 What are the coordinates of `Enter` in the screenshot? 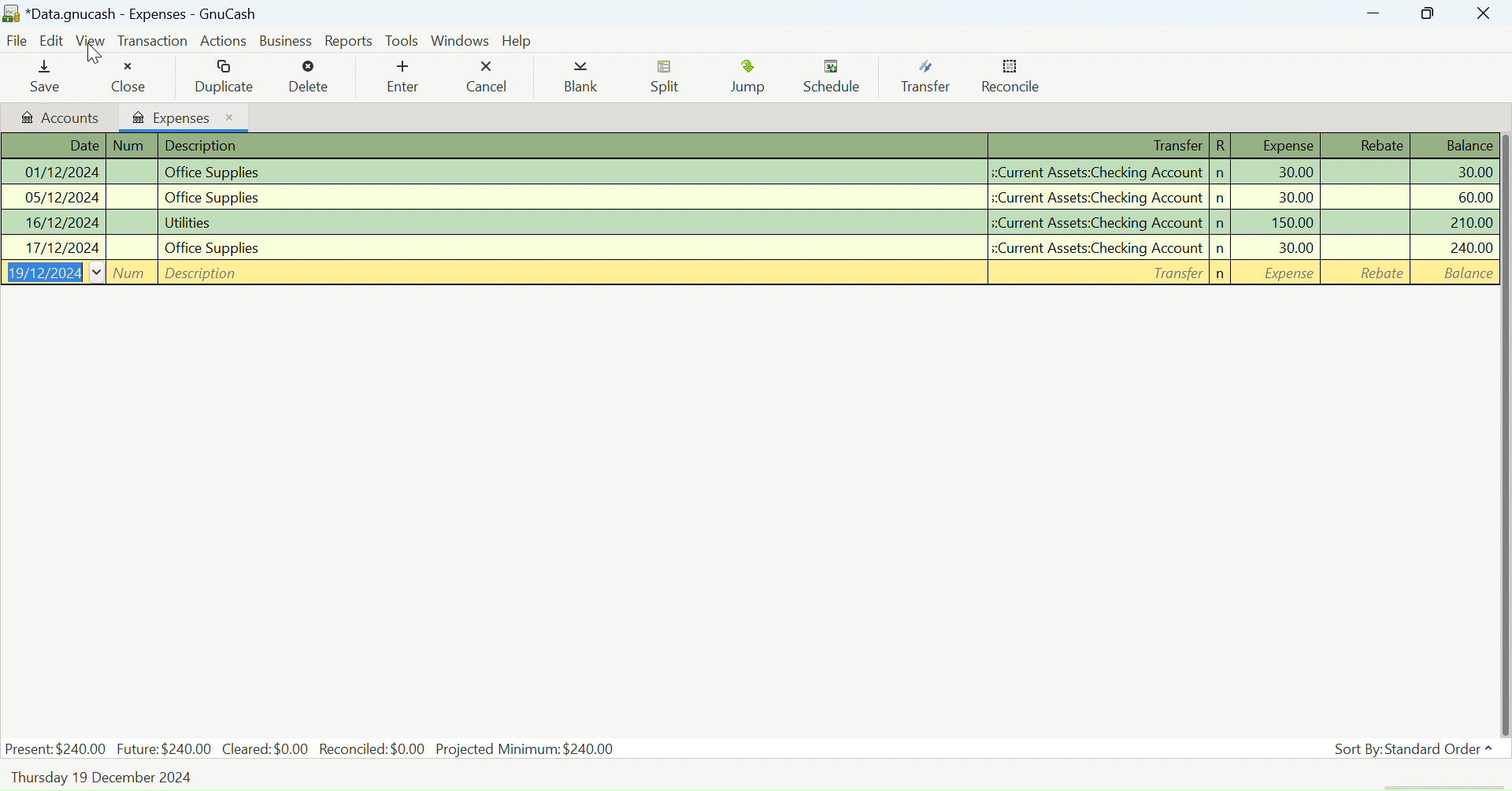 It's located at (401, 79).